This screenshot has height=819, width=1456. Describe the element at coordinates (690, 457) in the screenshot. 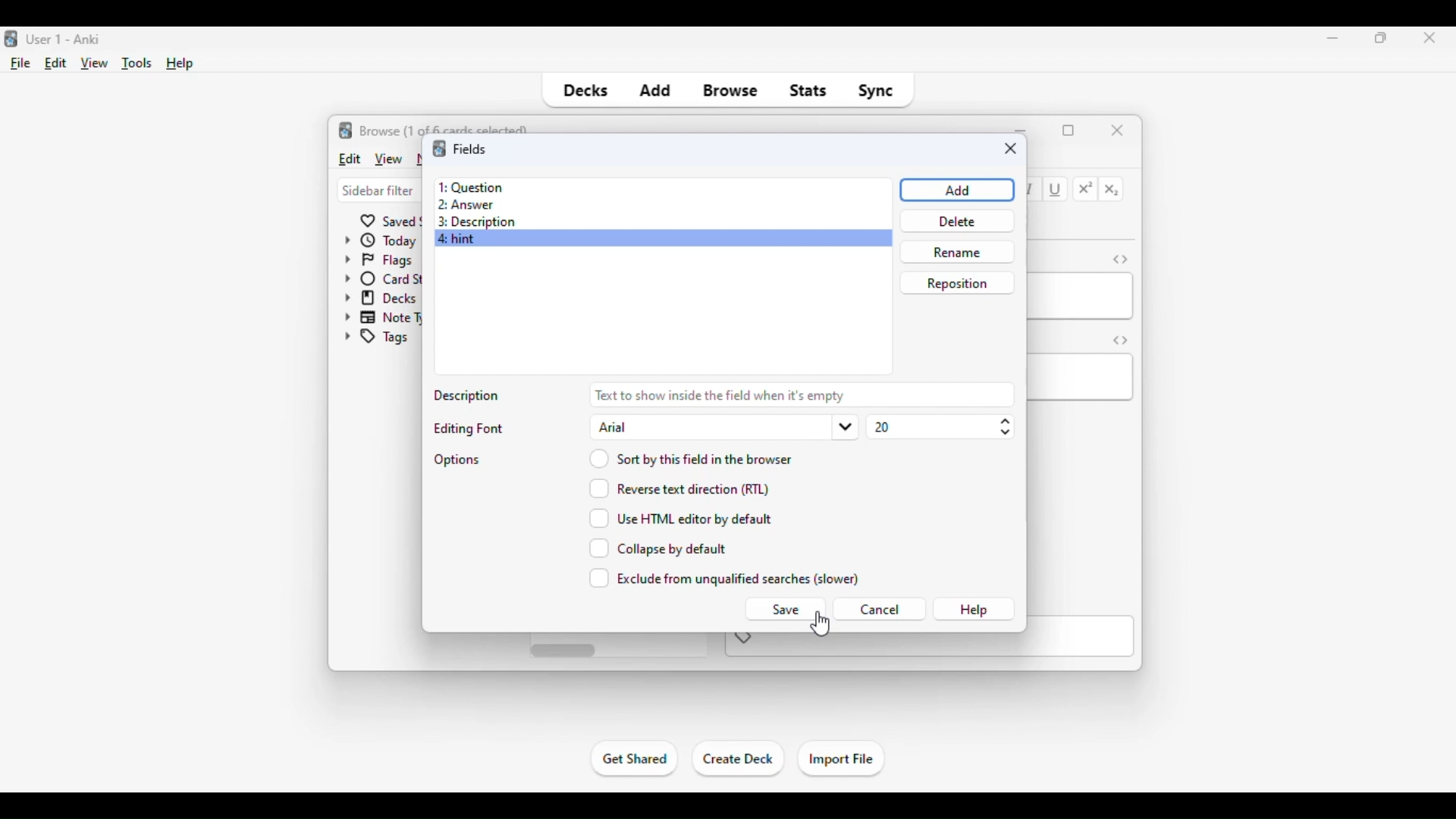

I see `sort by this field in the browser` at that location.